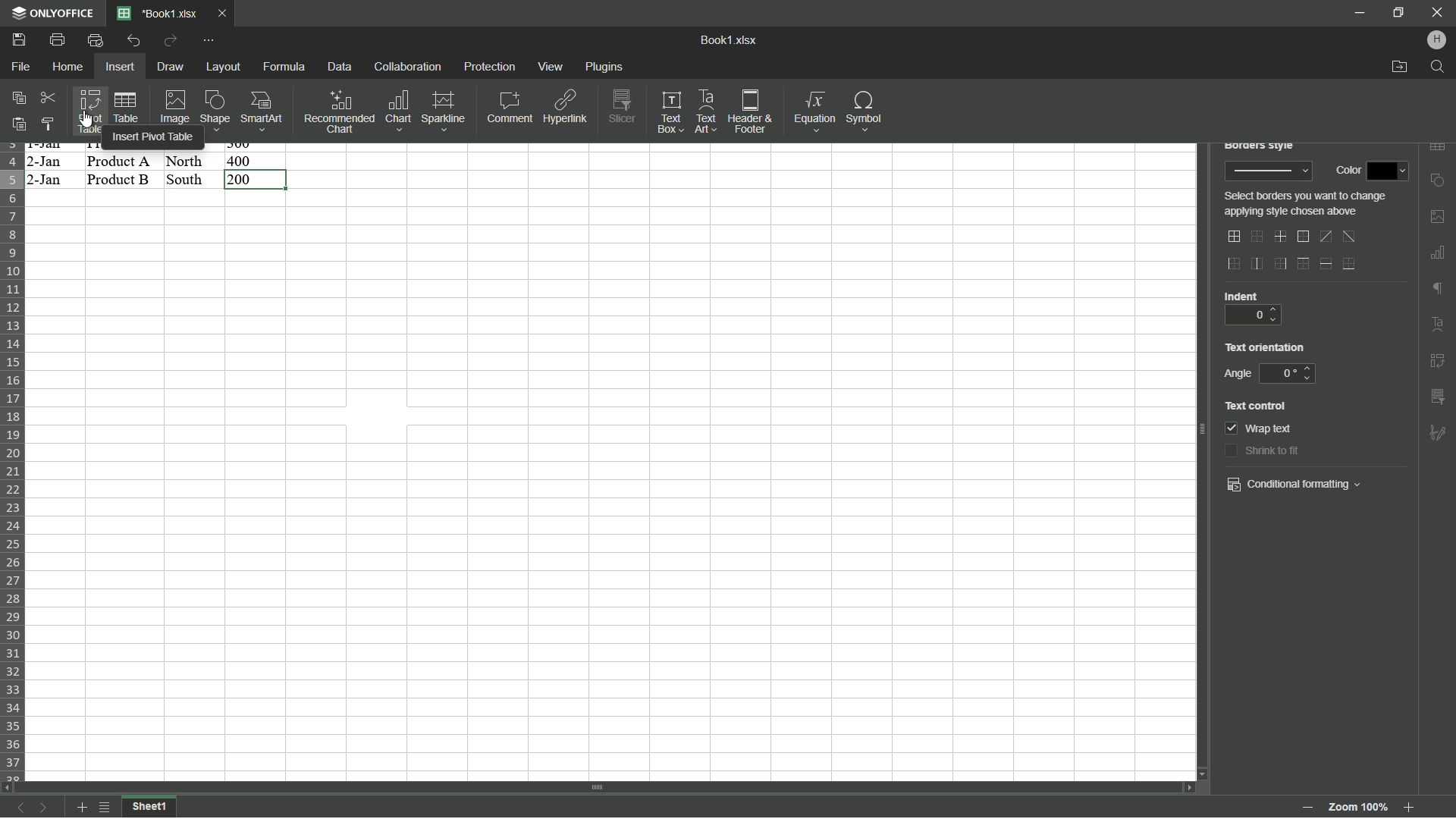  I want to click on down, so click(1310, 379).